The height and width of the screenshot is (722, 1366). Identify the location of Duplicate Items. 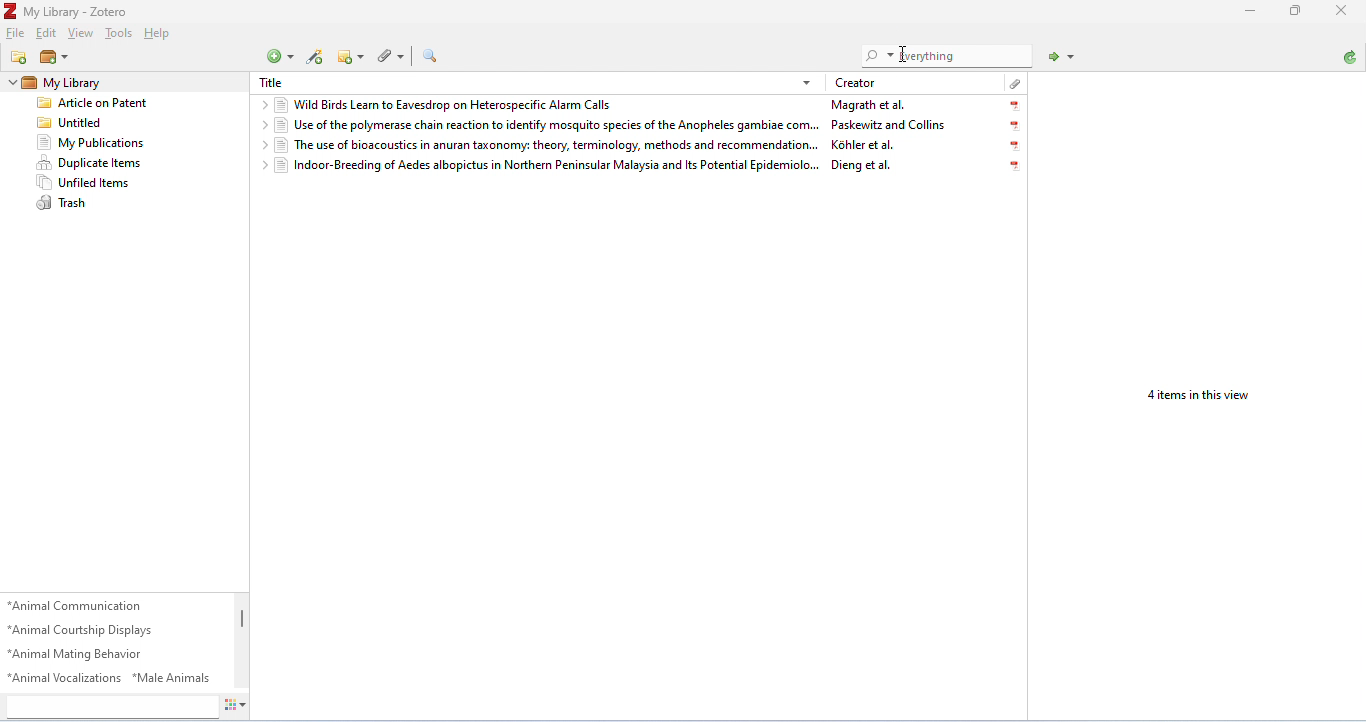
(105, 163).